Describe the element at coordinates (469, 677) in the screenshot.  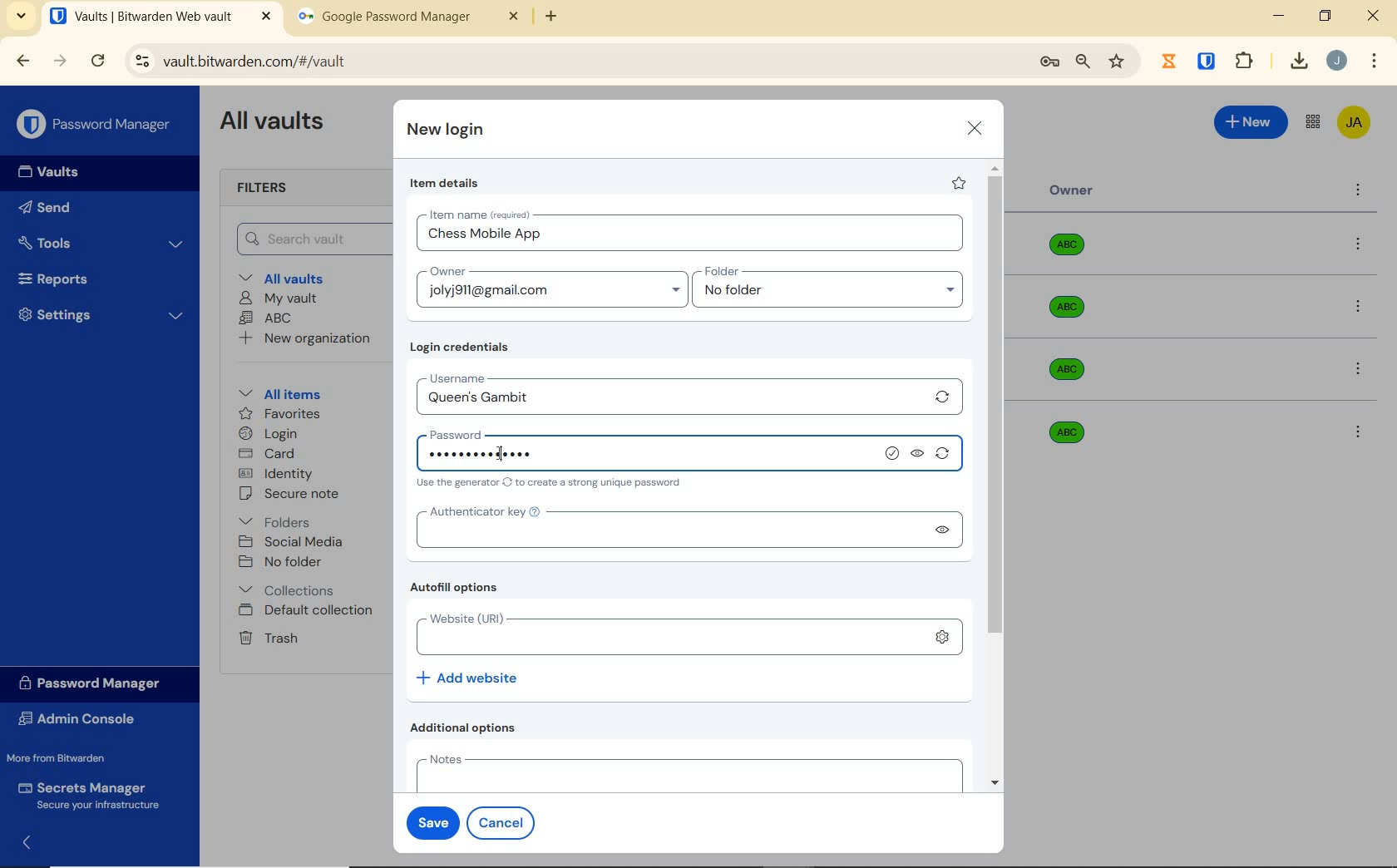
I see `Add website` at that location.